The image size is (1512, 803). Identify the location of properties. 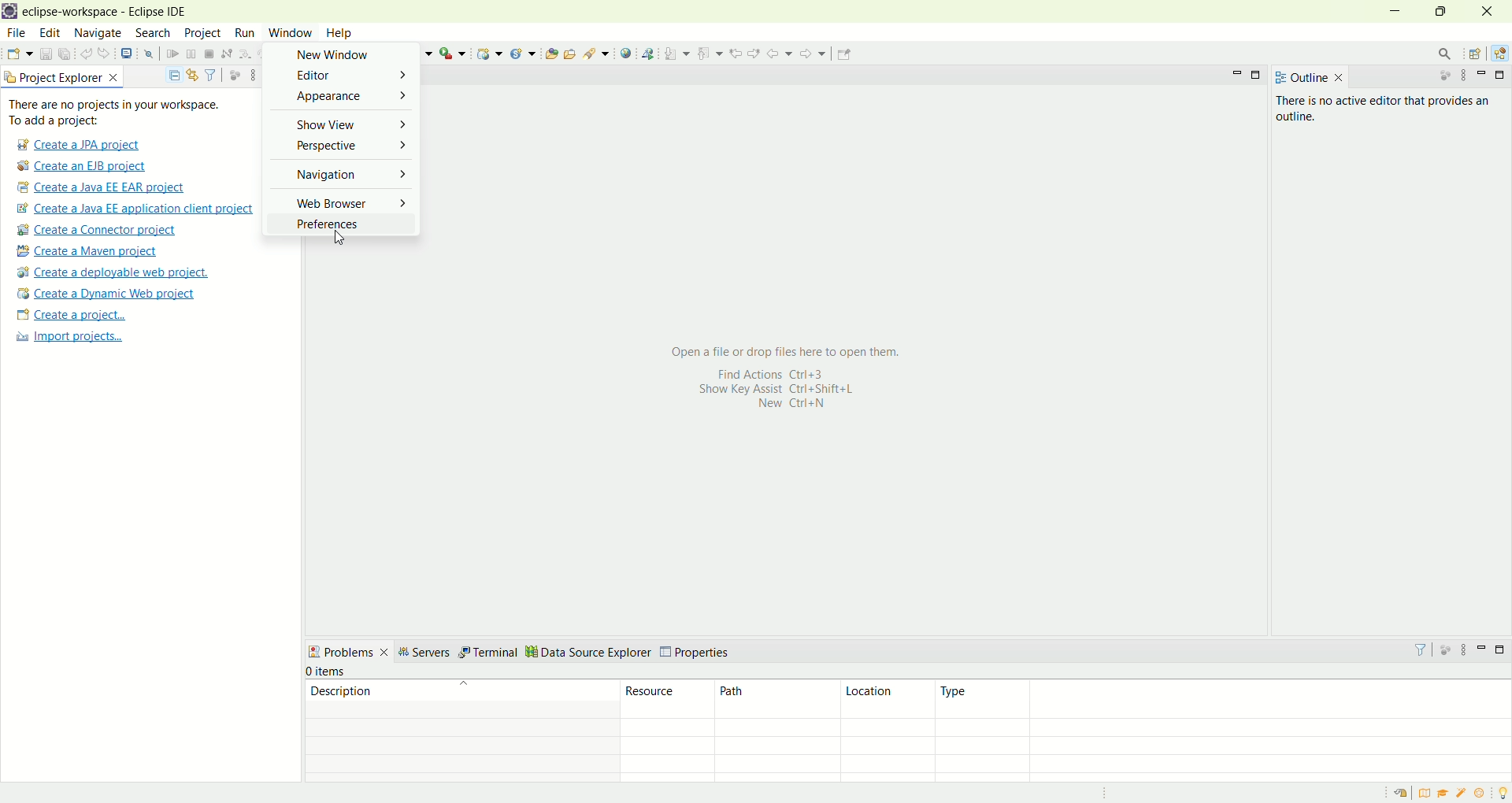
(696, 653).